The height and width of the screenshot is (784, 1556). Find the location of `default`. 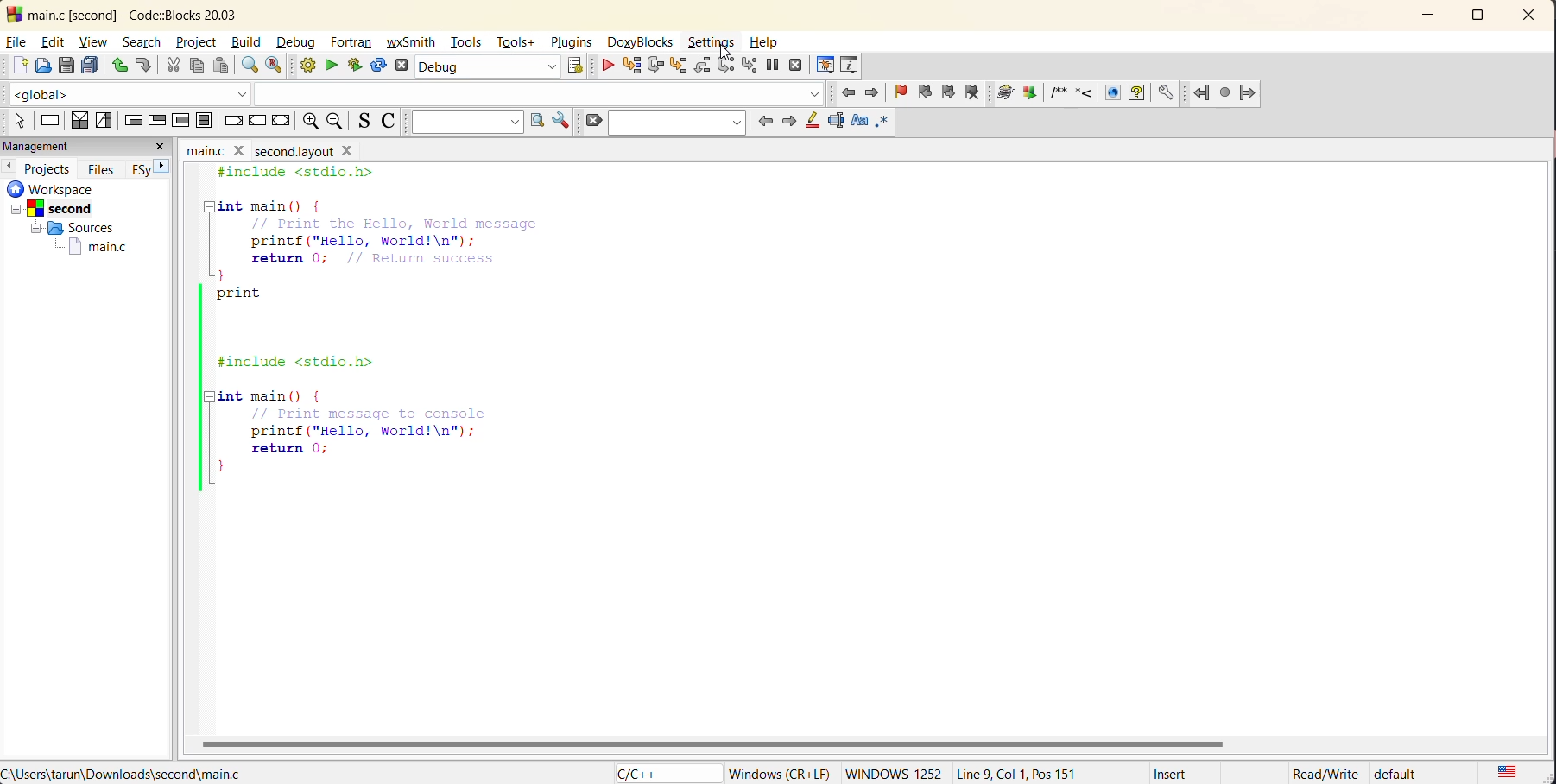

default is located at coordinates (1415, 774).